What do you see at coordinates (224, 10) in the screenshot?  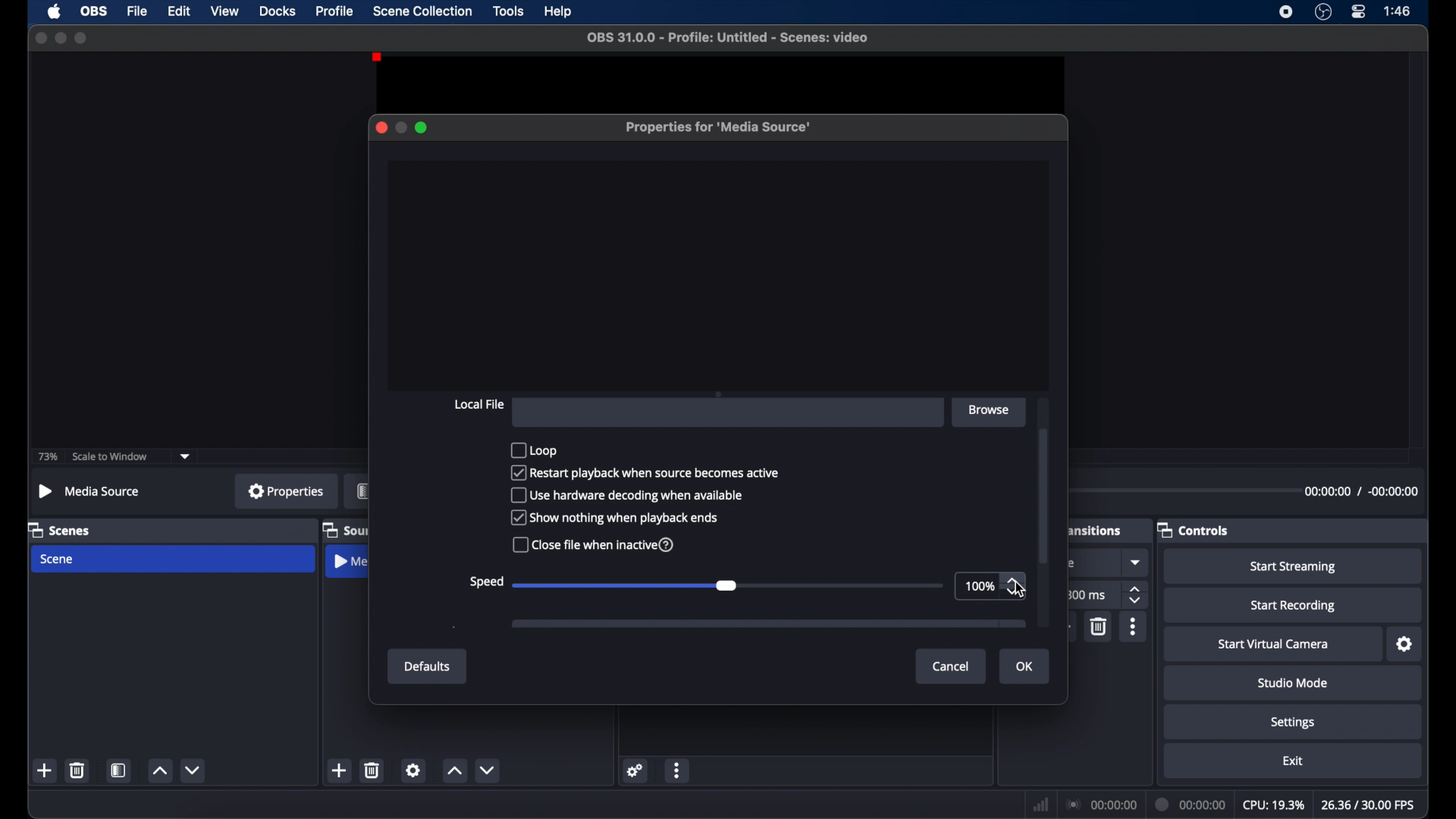 I see `view` at bounding box center [224, 10].